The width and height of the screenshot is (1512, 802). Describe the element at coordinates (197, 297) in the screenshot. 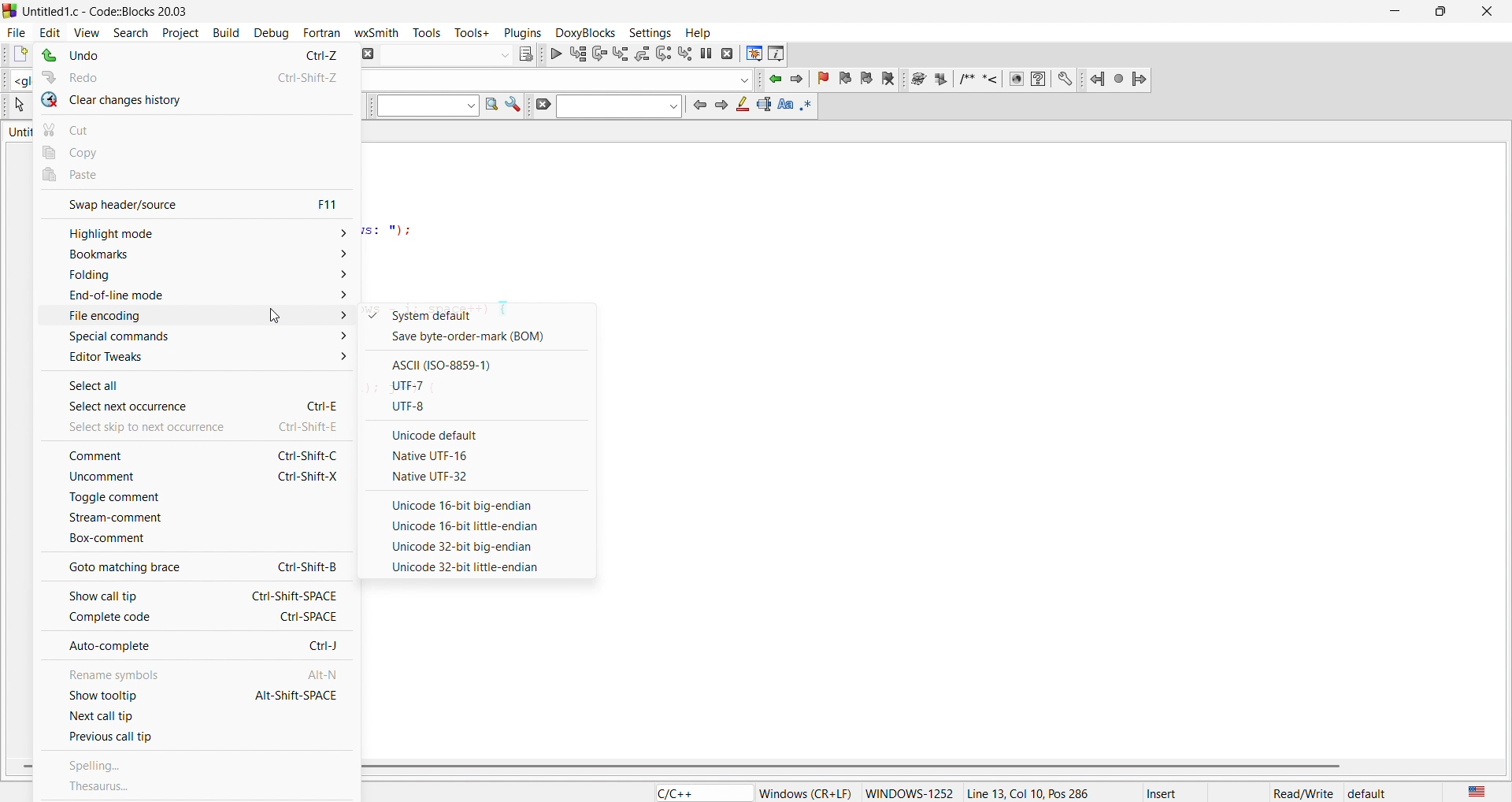

I see `end of line mode` at that location.